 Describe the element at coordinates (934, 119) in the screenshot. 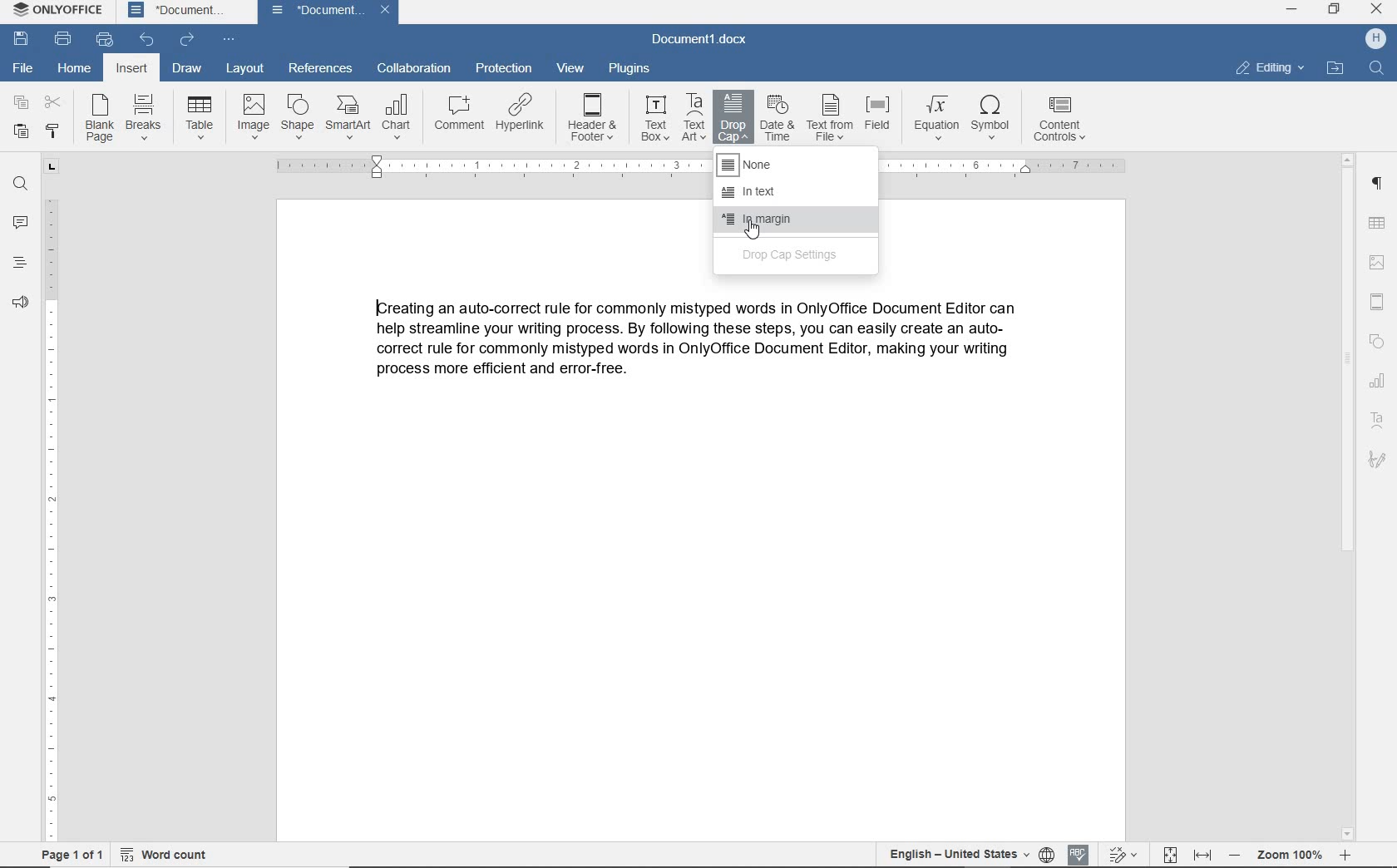

I see `equation` at that location.